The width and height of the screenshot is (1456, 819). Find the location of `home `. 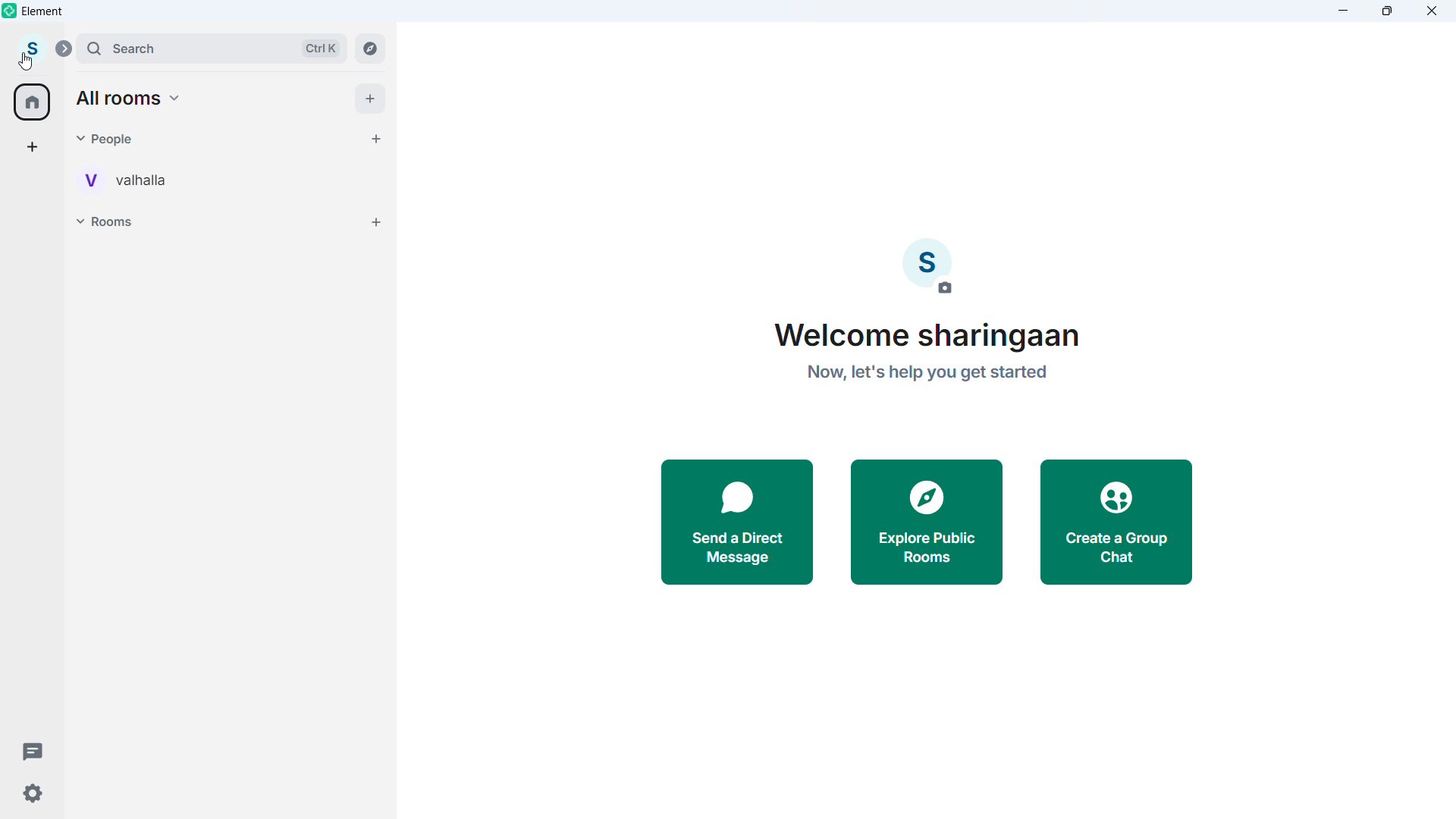

home  is located at coordinates (33, 102).